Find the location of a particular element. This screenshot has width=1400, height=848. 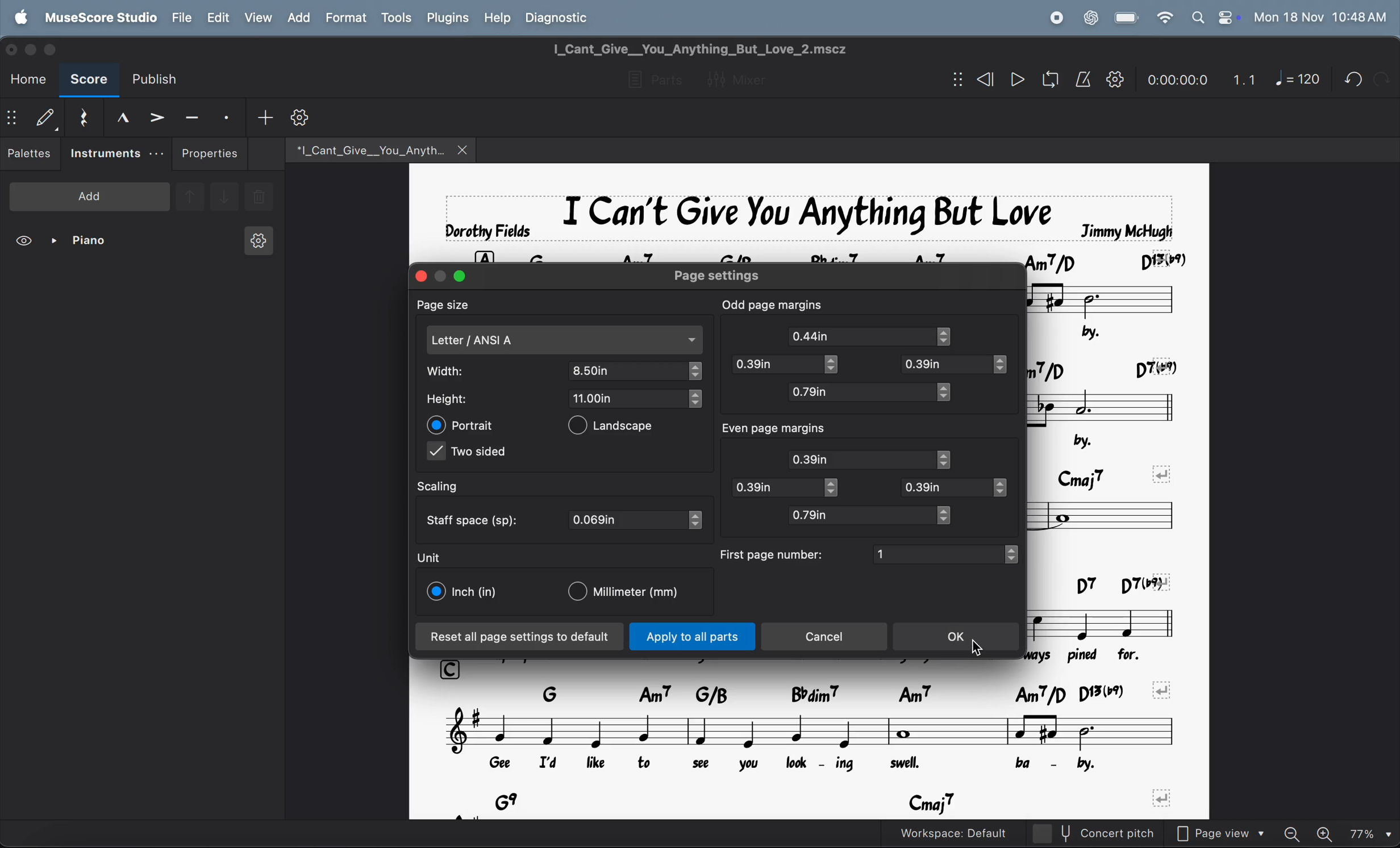

0.39in is located at coordinates (944, 365).